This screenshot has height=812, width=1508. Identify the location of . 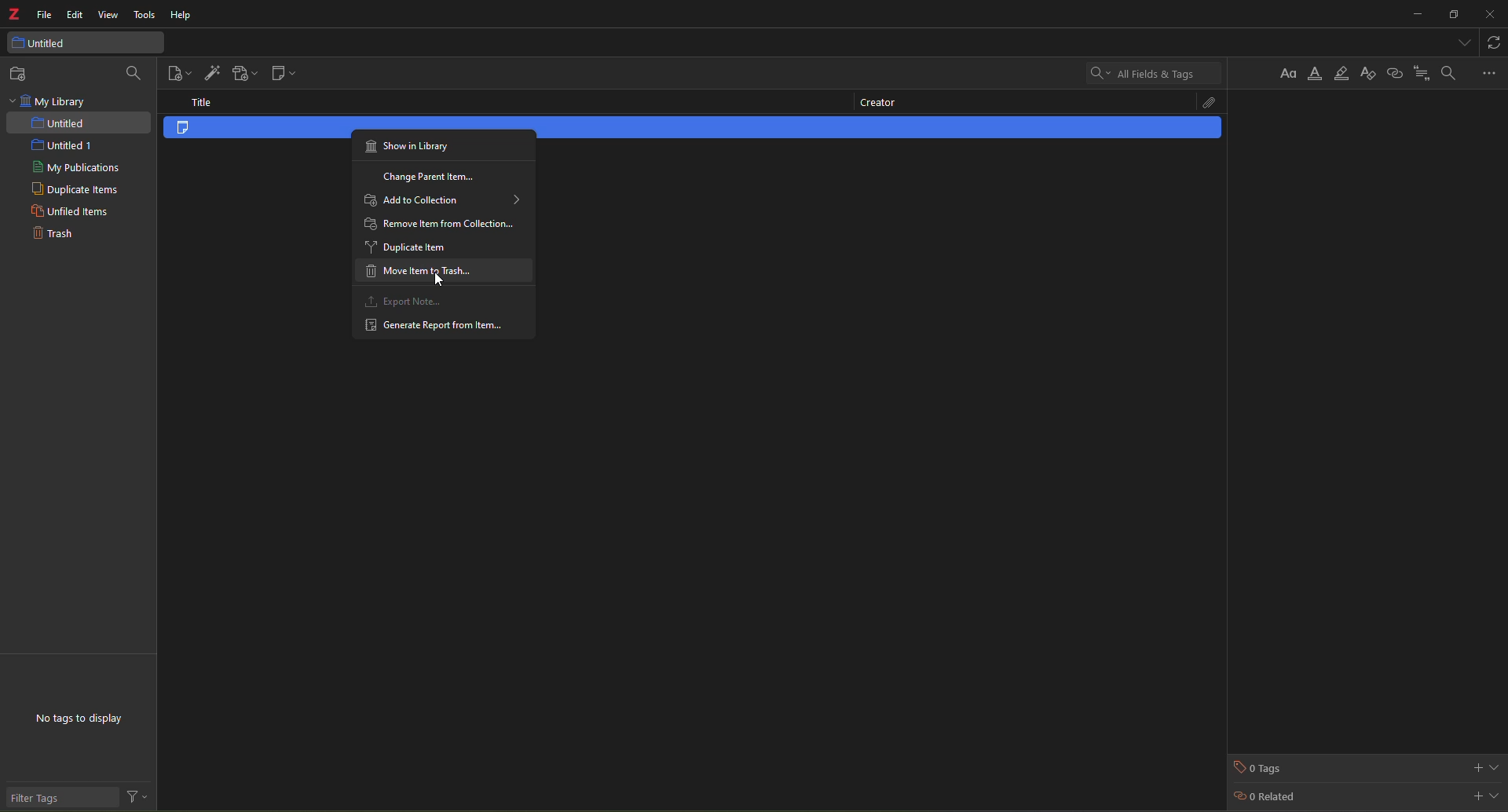
(1290, 73).